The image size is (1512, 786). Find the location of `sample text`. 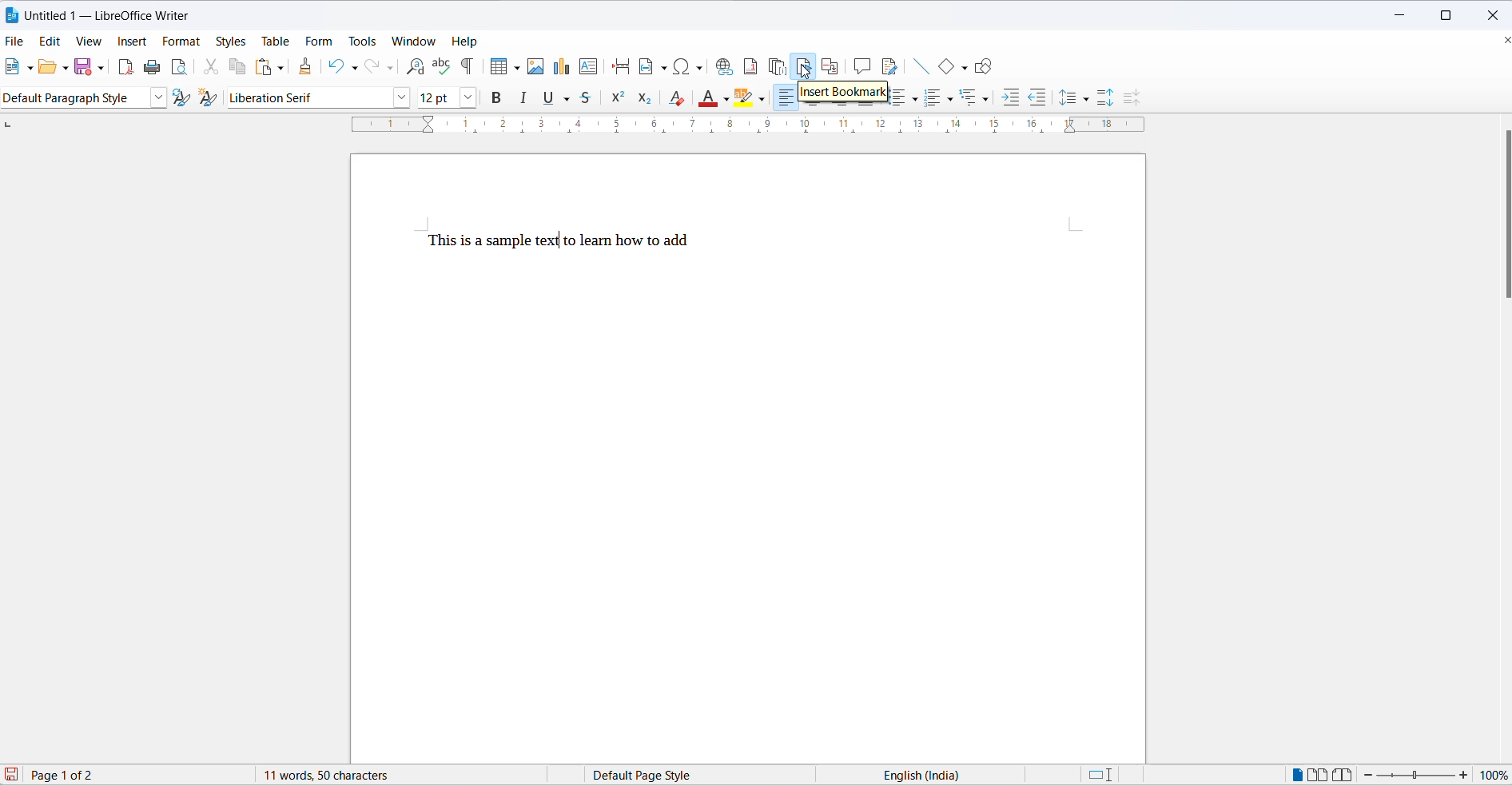

sample text is located at coordinates (562, 242).